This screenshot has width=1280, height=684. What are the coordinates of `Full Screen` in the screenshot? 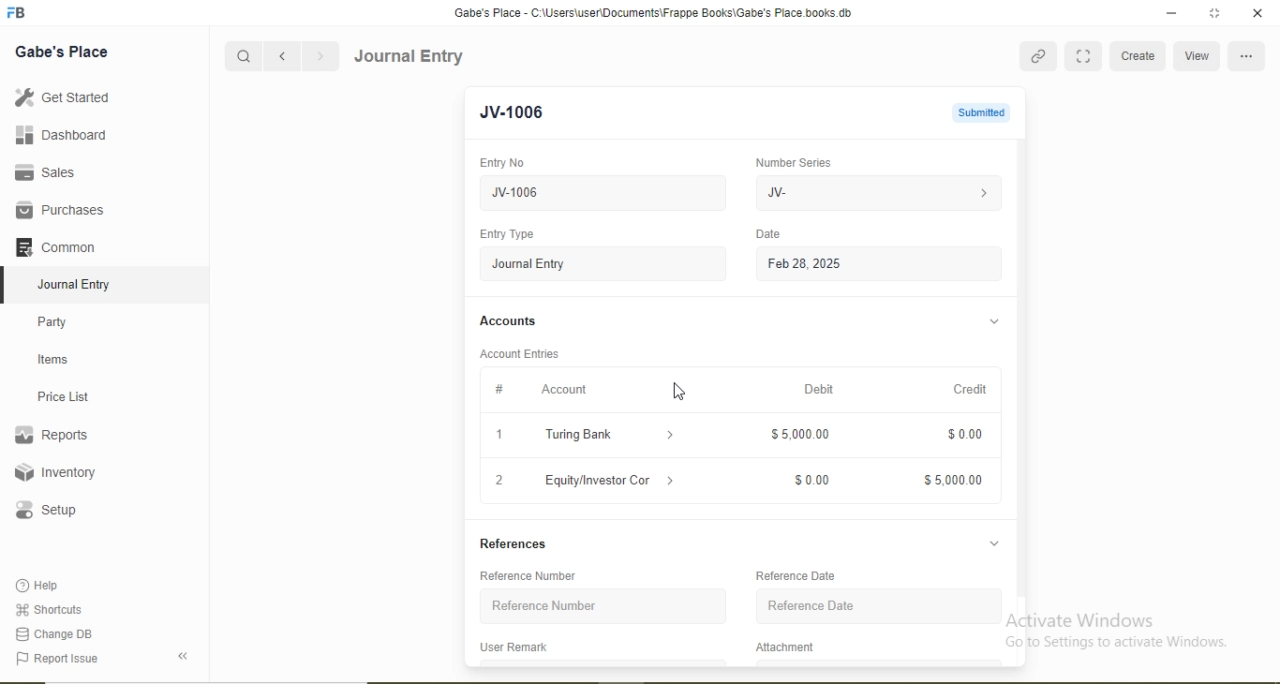 It's located at (1083, 57).